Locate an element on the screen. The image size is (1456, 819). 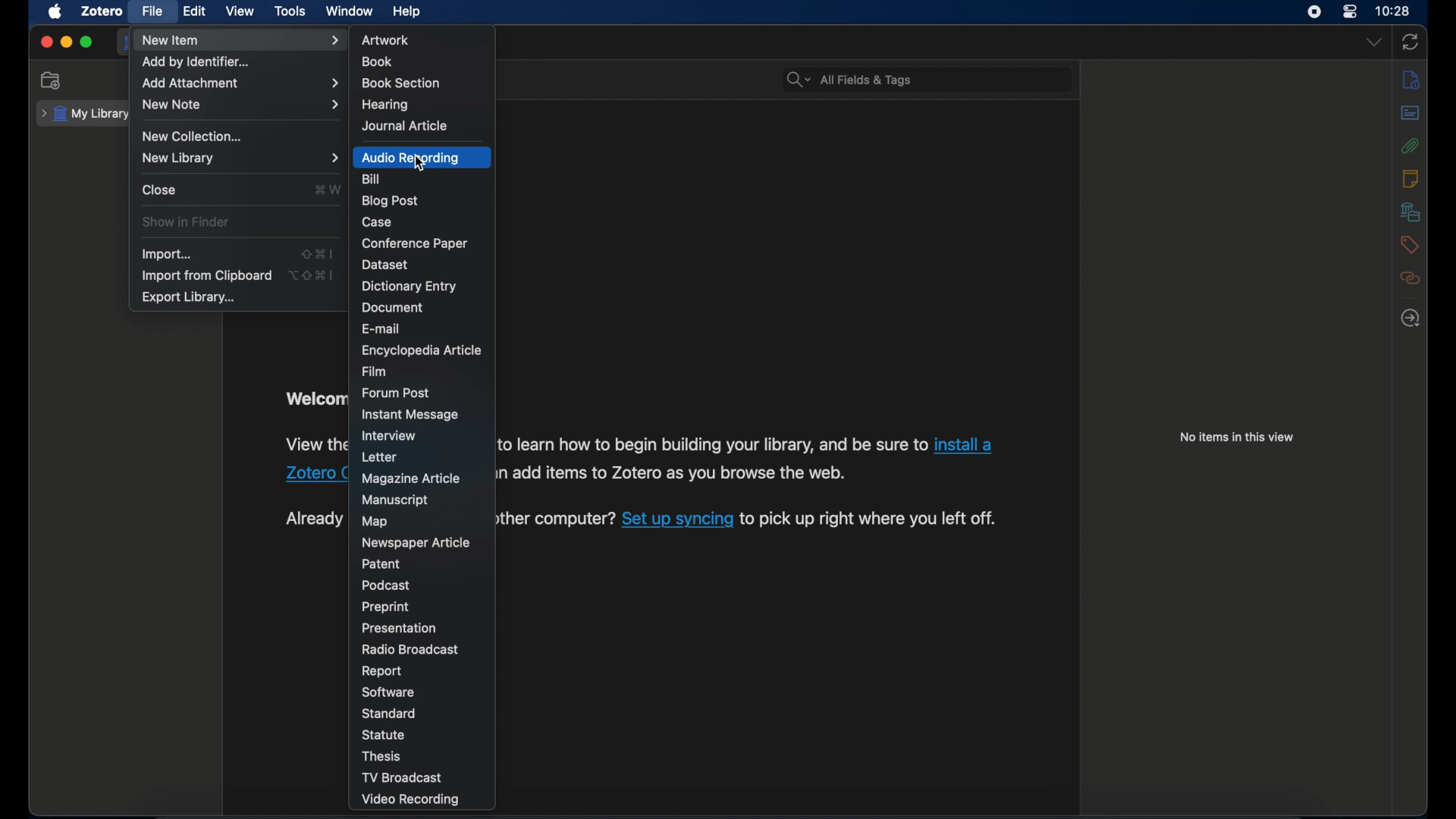
close is located at coordinates (161, 190).